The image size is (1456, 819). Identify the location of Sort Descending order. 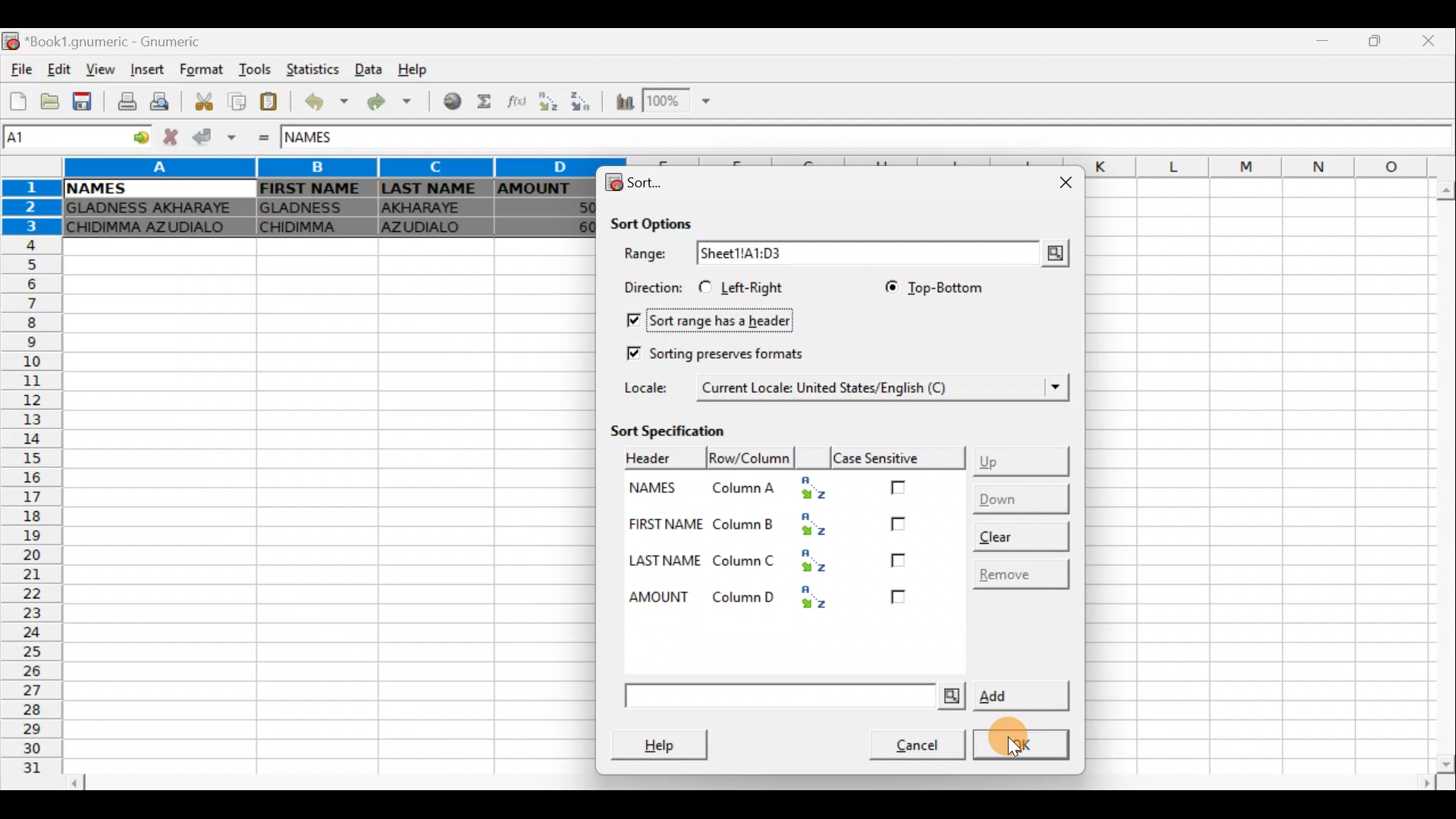
(579, 101).